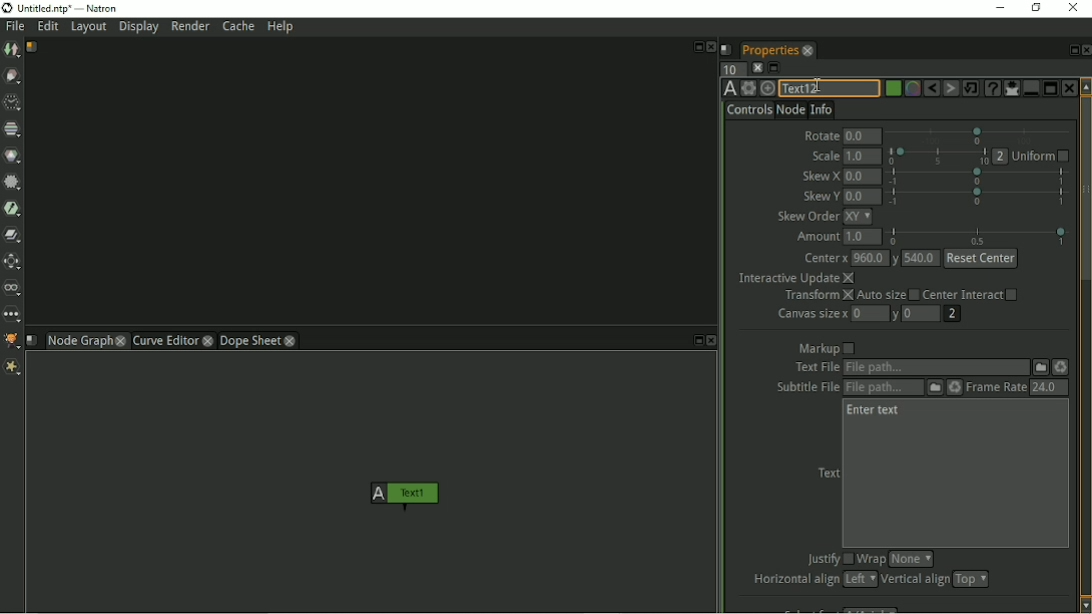  What do you see at coordinates (897, 315) in the screenshot?
I see `y` at bounding box center [897, 315].